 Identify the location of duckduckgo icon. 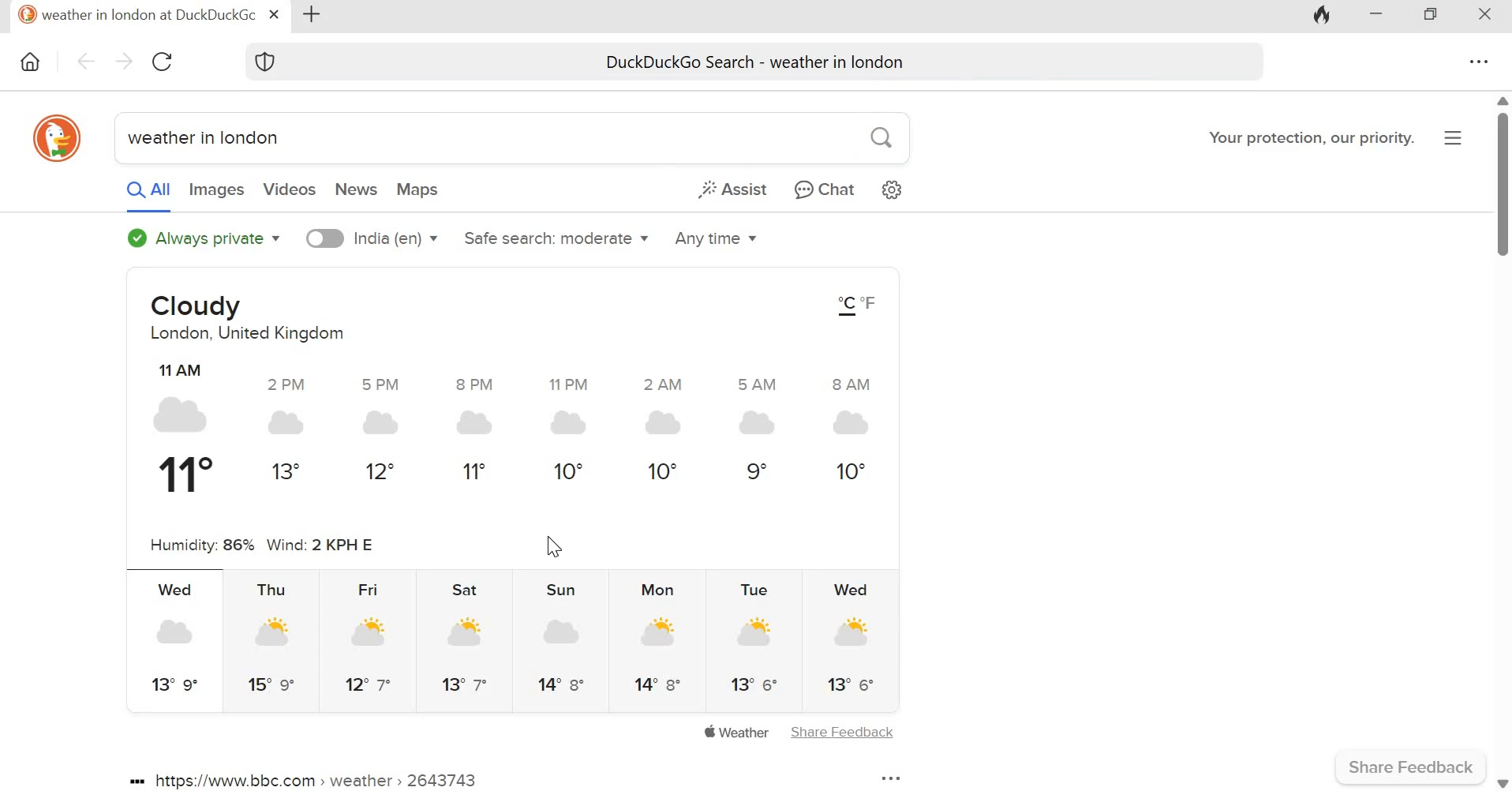
(57, 138).